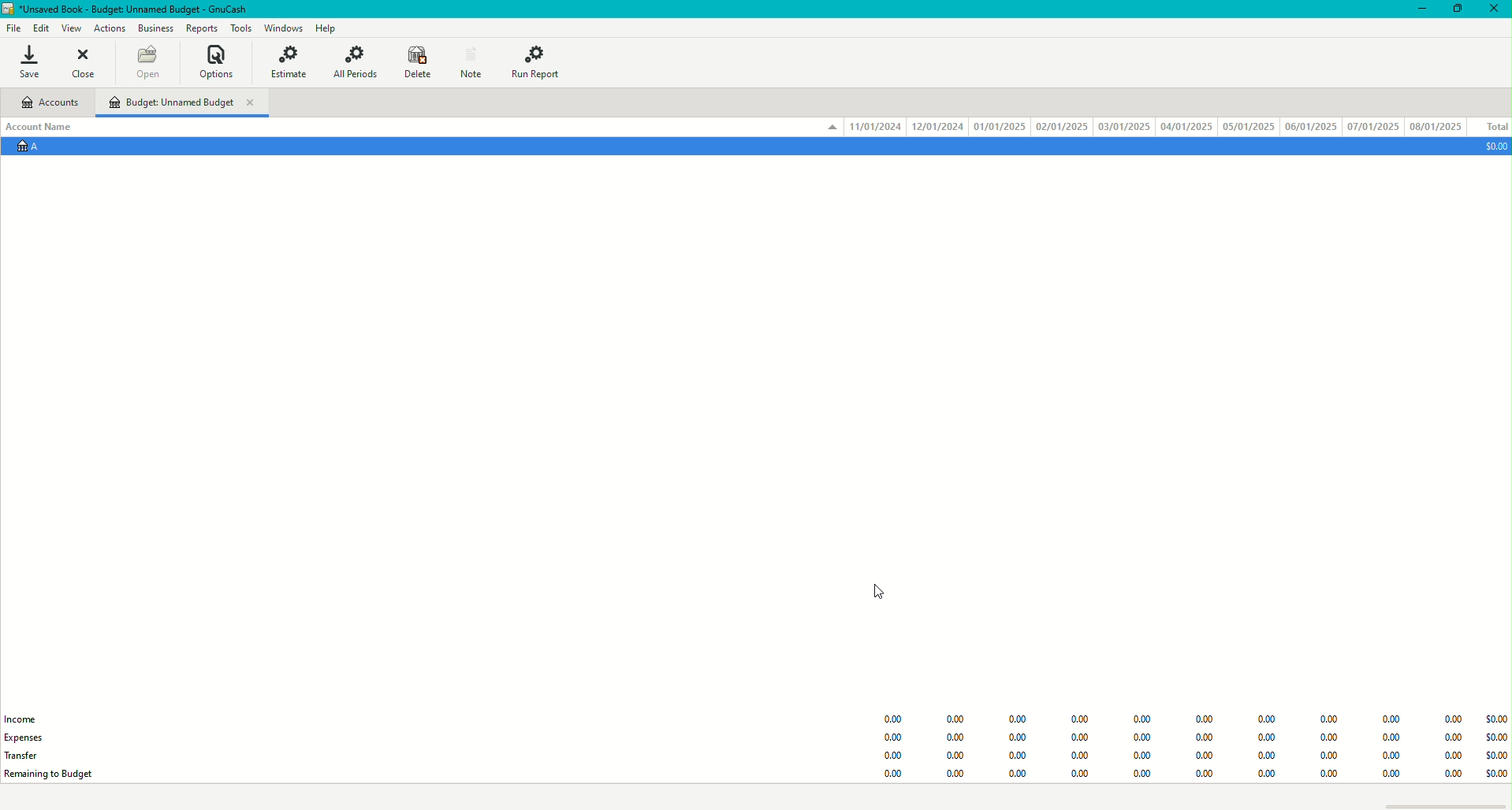  Describe the element at coordinates (1492, 146) in the screenshot. I see `$0` at that location.